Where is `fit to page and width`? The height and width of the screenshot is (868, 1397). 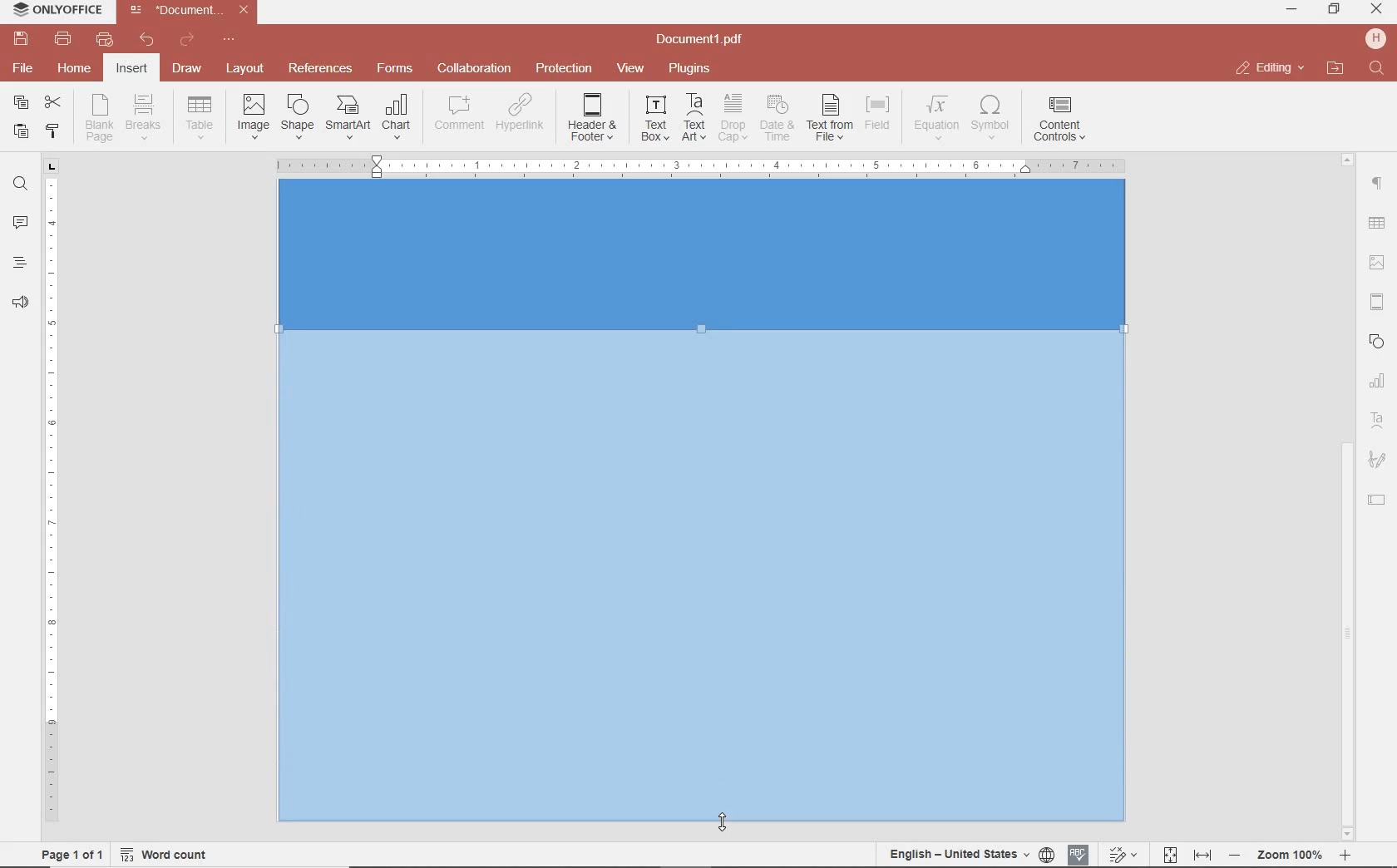
fit to page and width is located at coordinates (1184, 856).